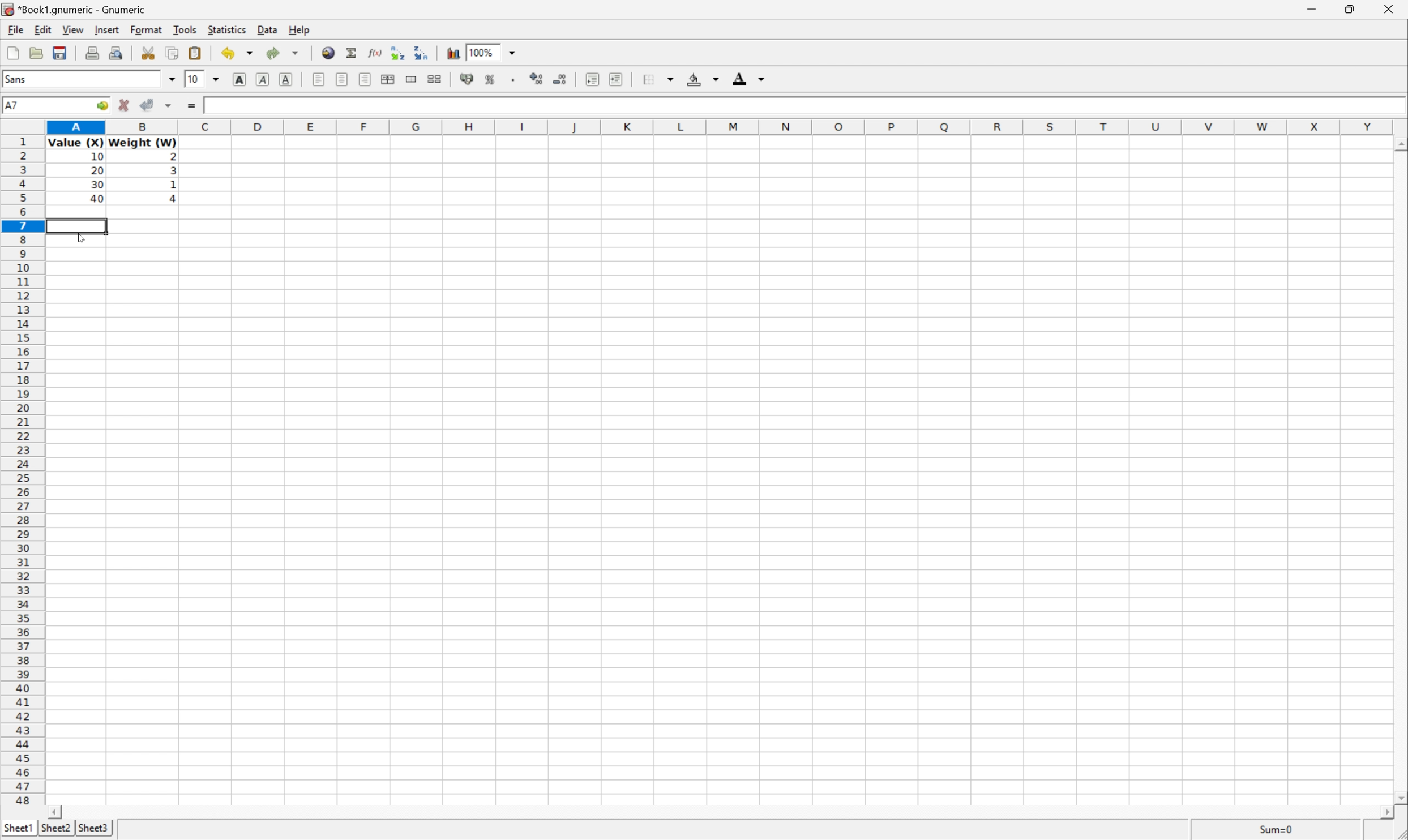 This screenshot has height=840, width=1408. What do you see at coordinates (143, 142) in the screenshot?
I see `Weight (W)` at bounding box center [143, 142].